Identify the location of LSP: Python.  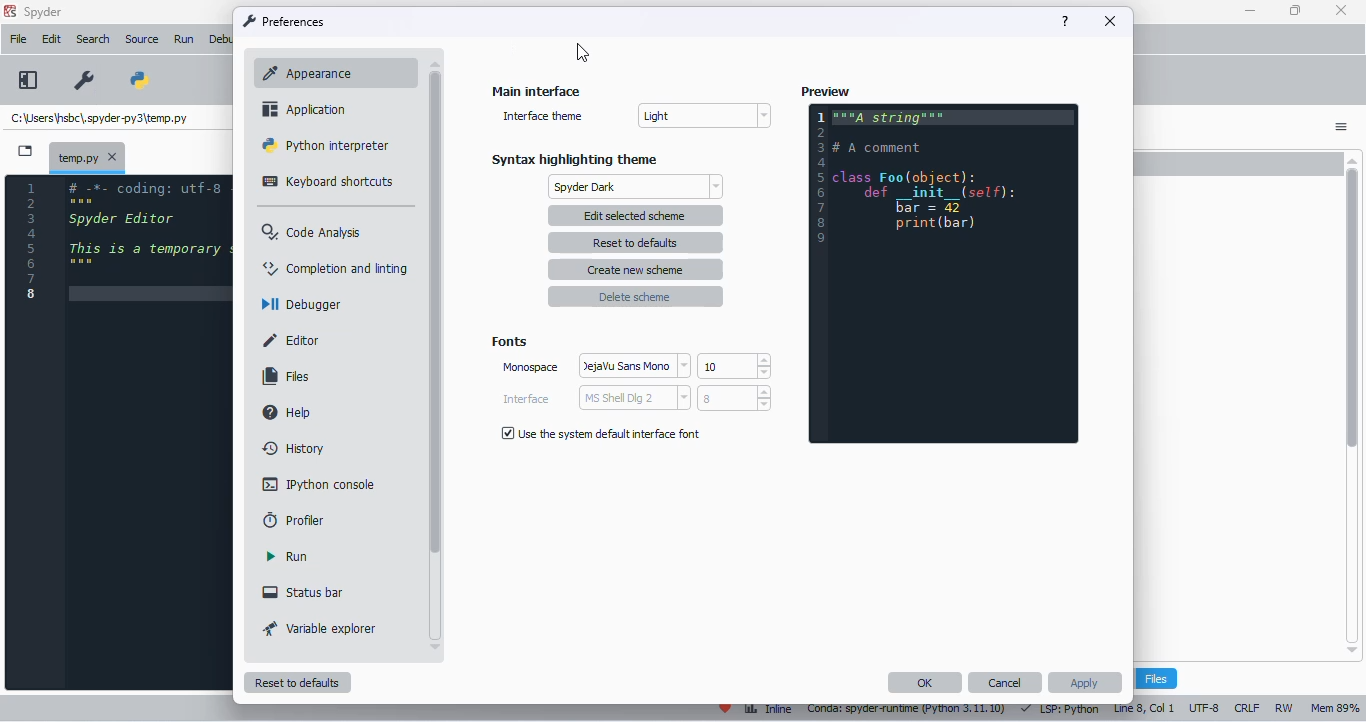
(1059, 710).